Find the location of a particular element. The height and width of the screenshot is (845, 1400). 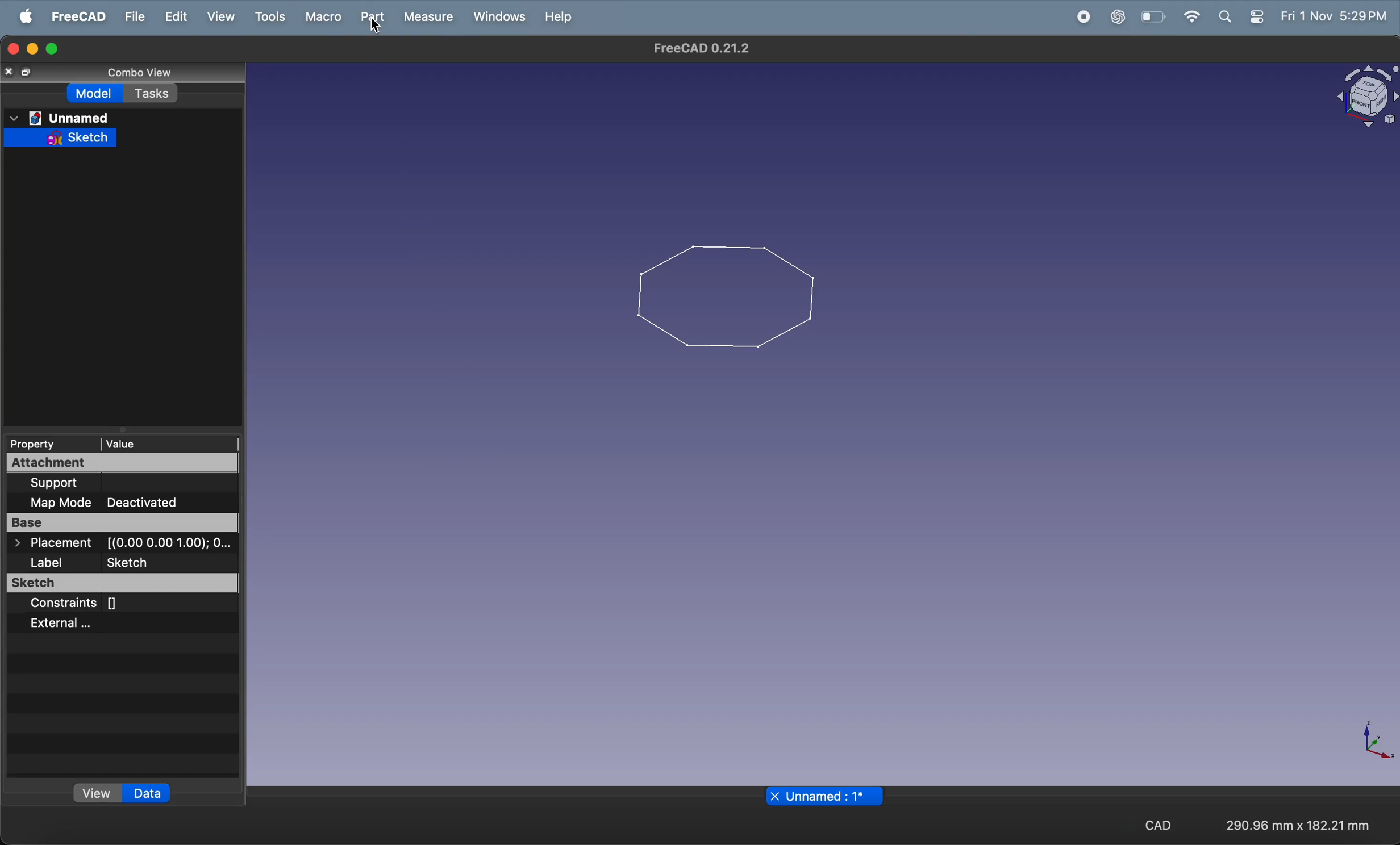

help is located at coordinates (559, 16).